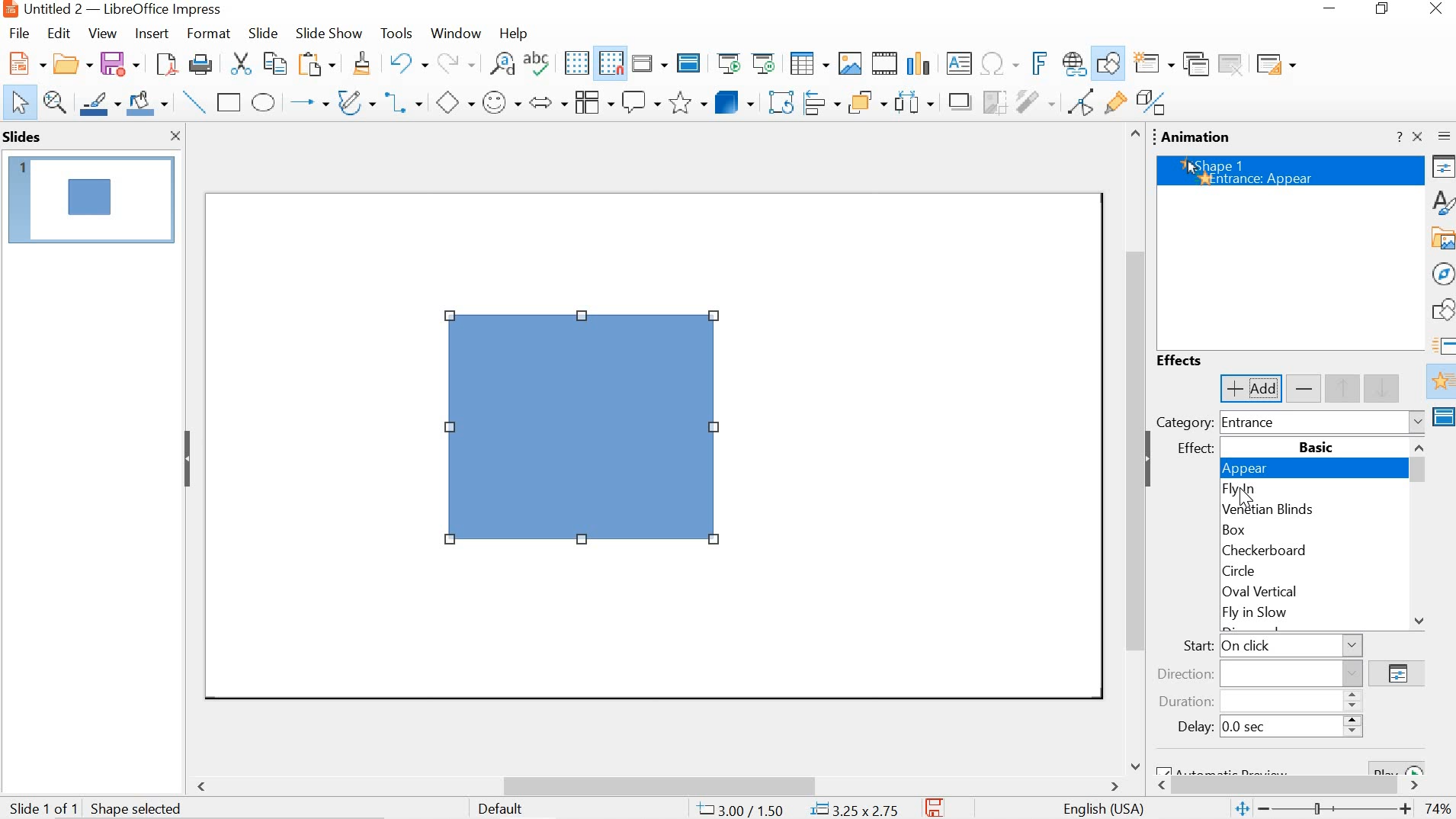 The width and height of the screenshot is (1456, 819). What do you see at coordinates (1315, 448) in the screenshot?
I see `basic` at bounding box center [1315, 448].